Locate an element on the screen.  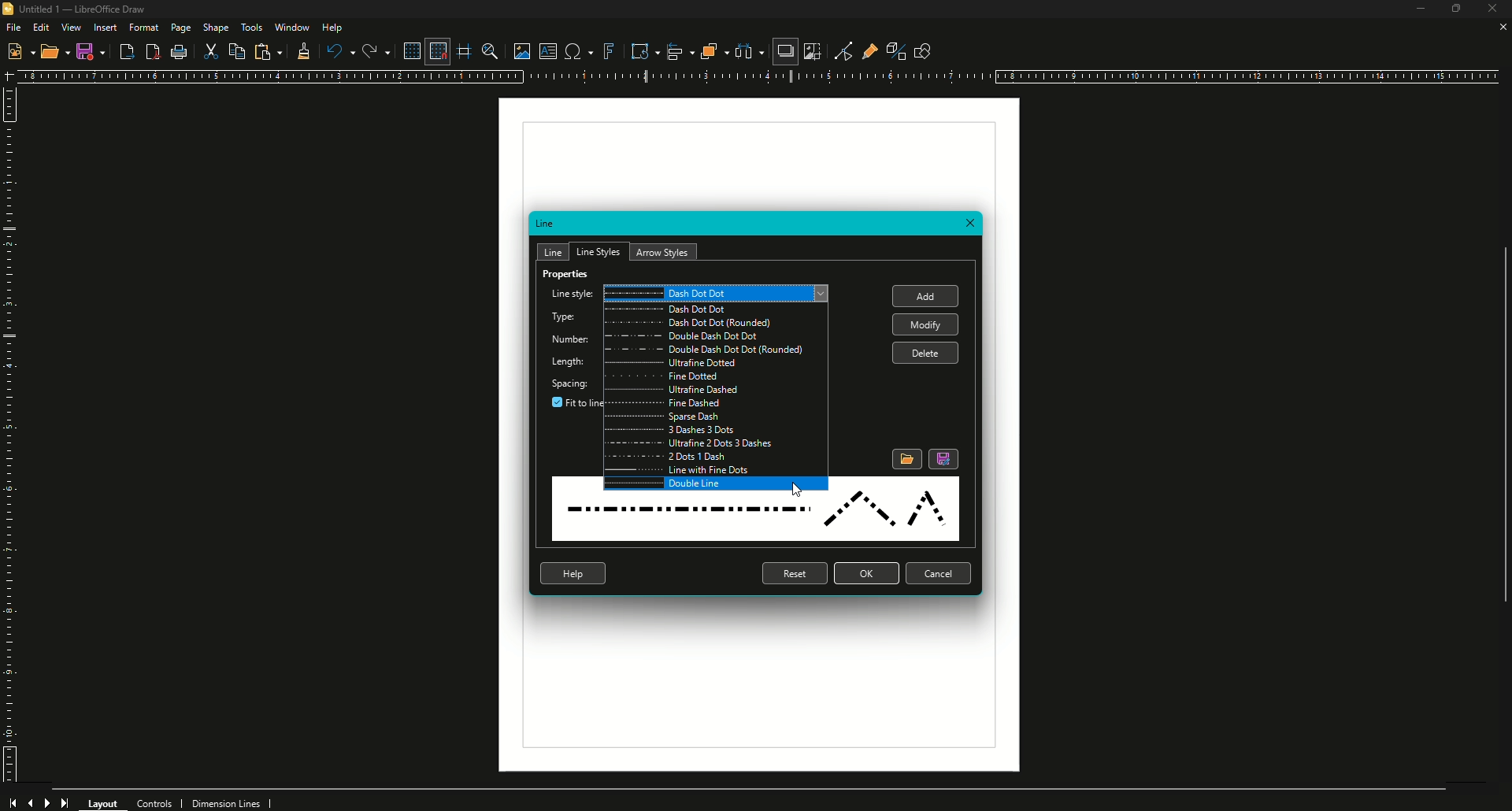
Delete is located at coordinates (928, 354).